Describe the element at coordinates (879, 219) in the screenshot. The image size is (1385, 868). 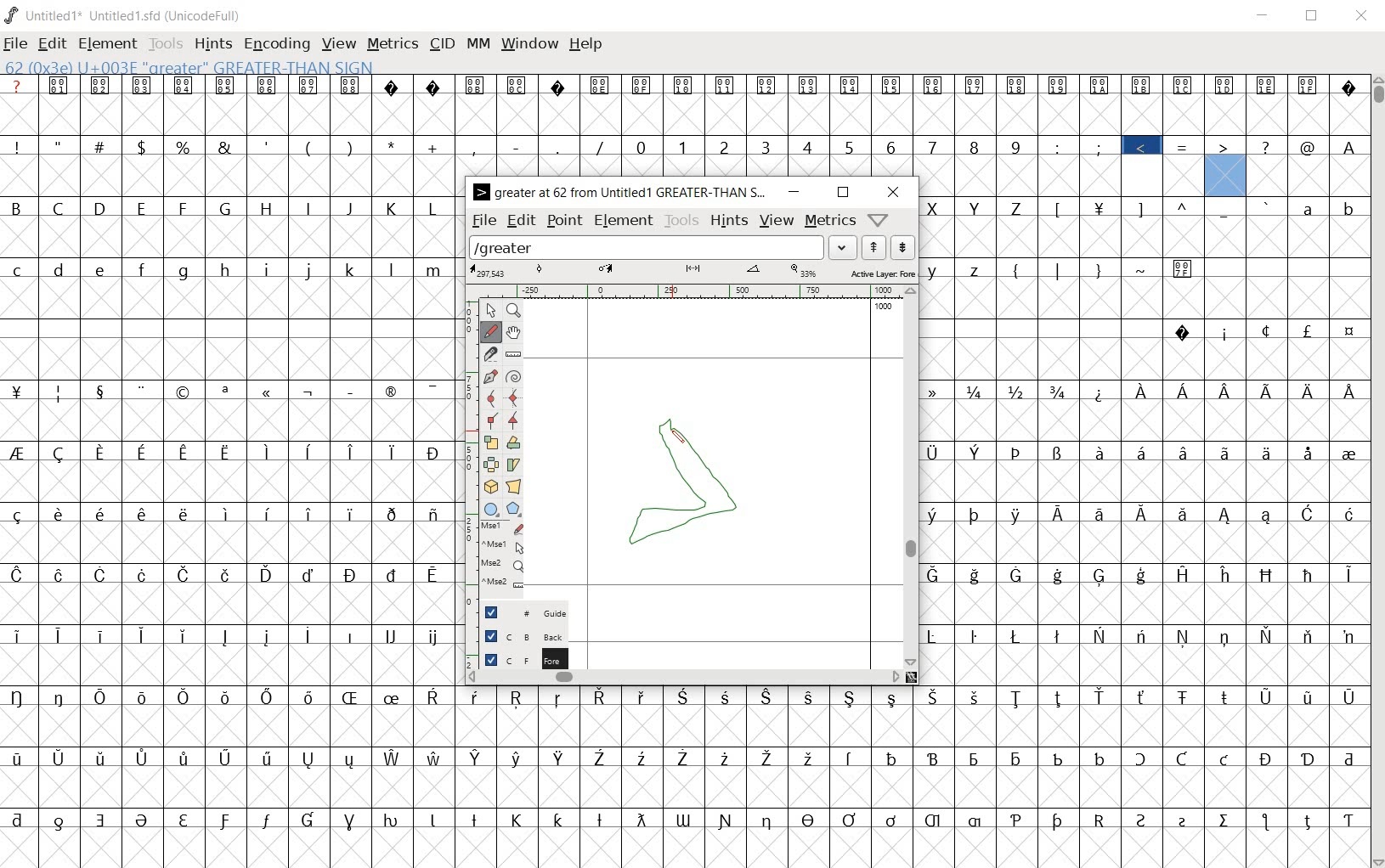
I see `help/window` at that location.